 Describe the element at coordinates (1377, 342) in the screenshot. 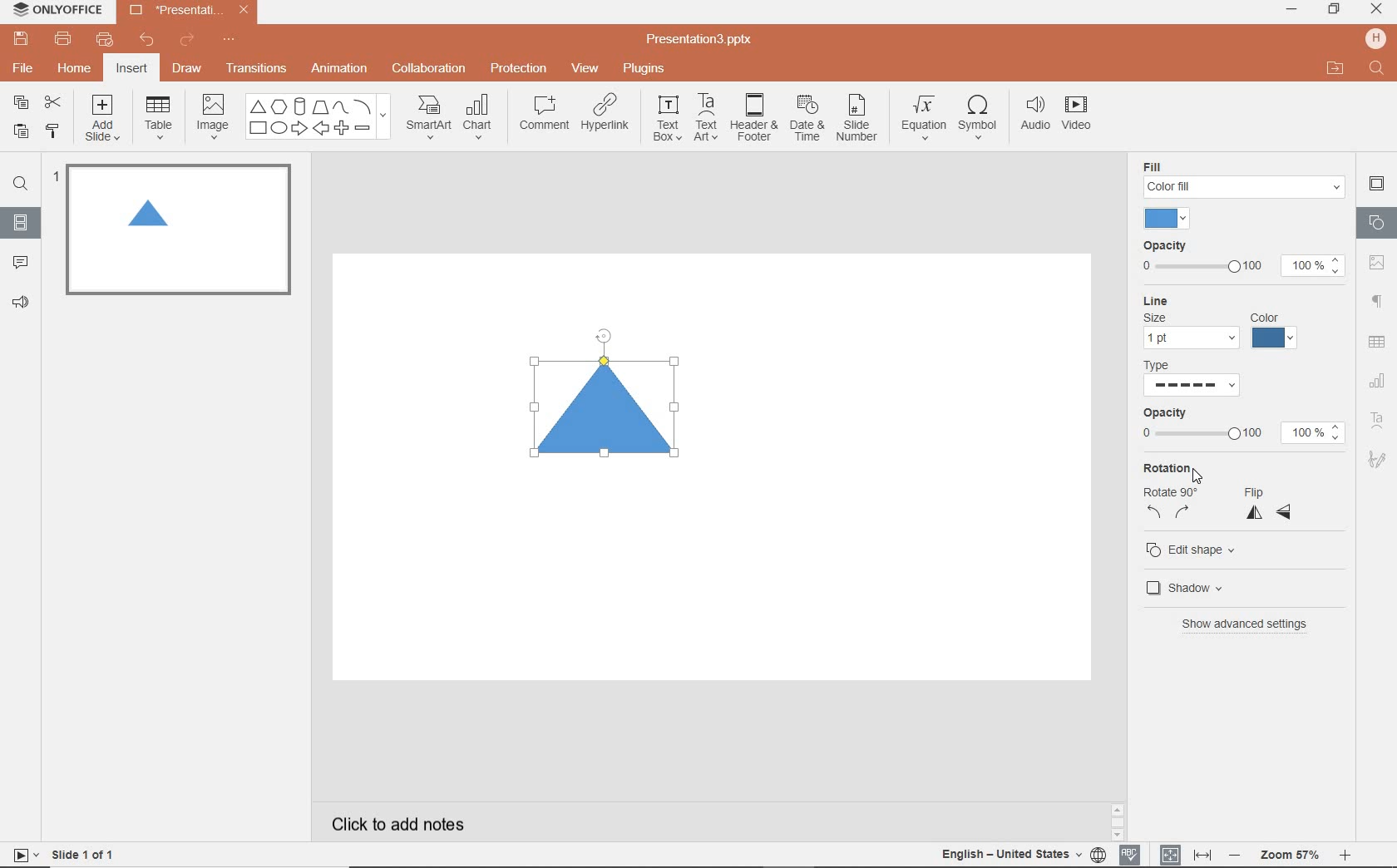

I see `TABLE SETTINGS` at that location.